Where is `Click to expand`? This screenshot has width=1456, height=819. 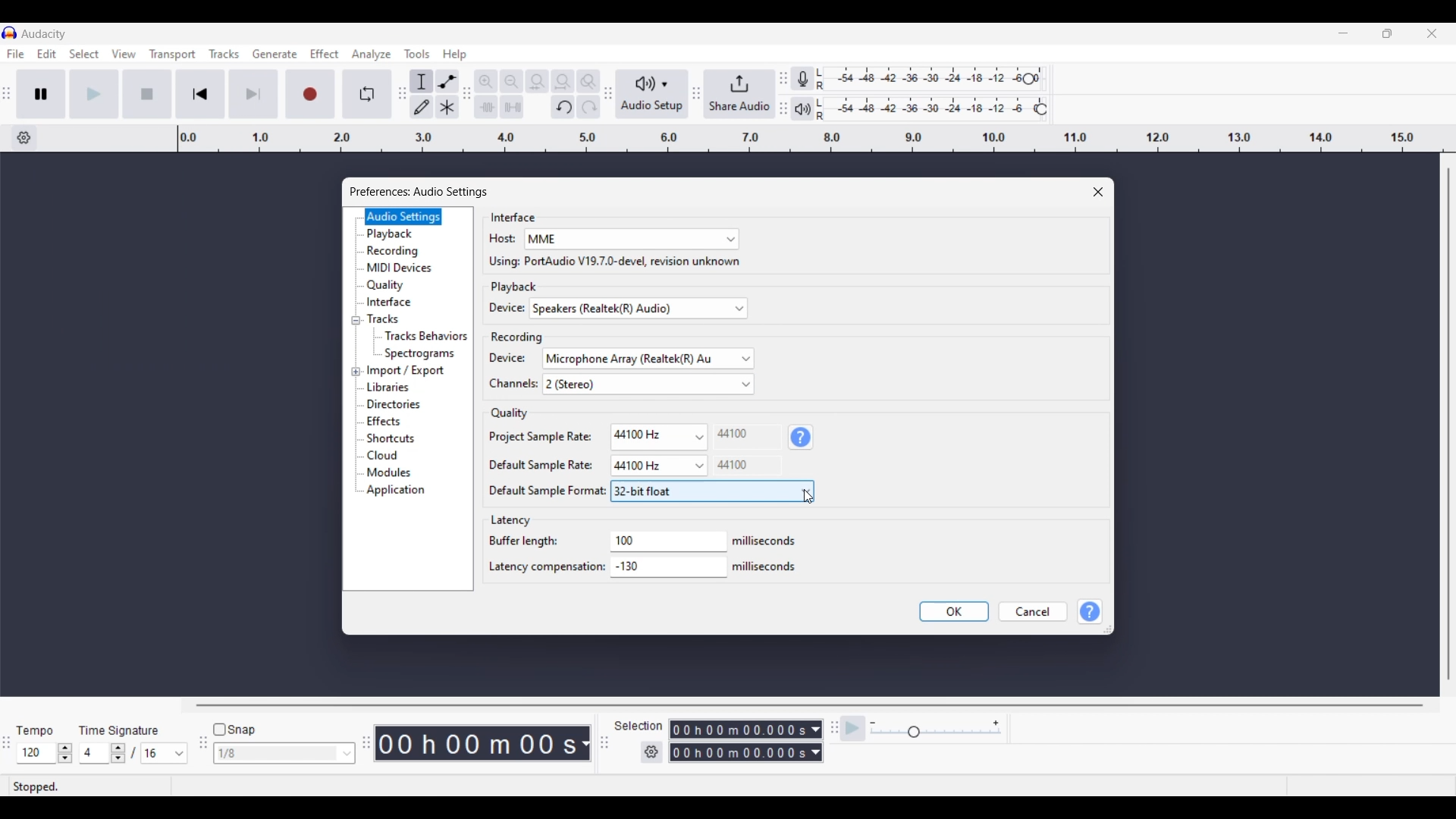 Click to expand is located at coordinates (356, 372).